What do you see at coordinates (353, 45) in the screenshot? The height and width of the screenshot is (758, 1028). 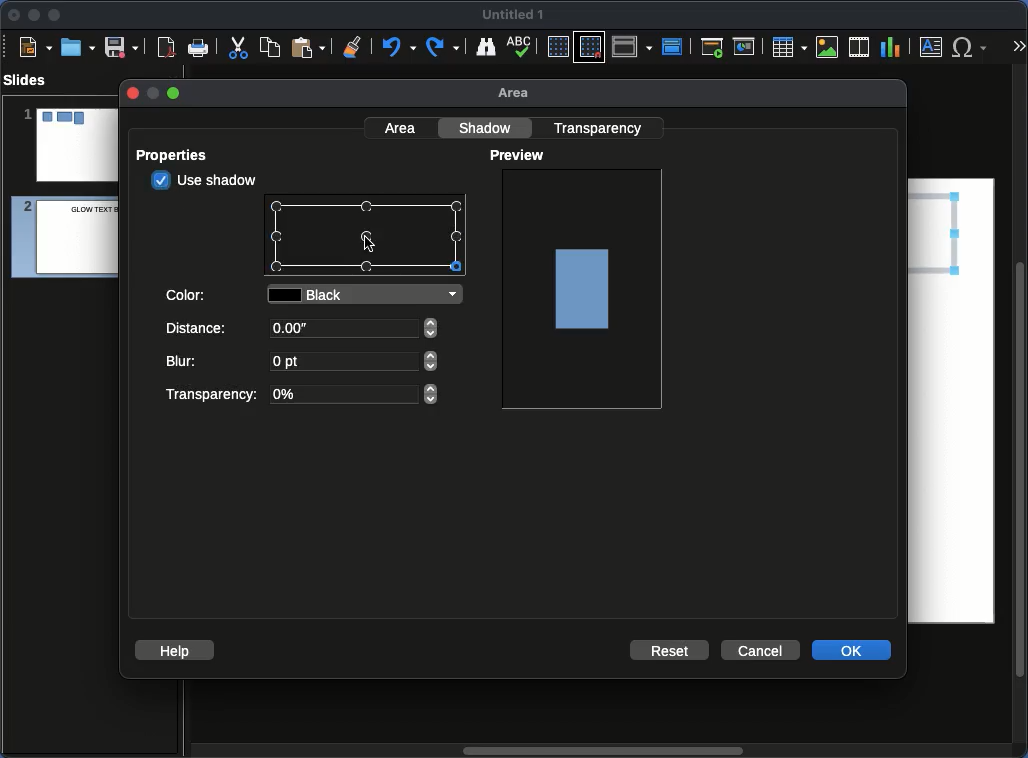 I see `Clear formatting` at bounding box center [353, 45].